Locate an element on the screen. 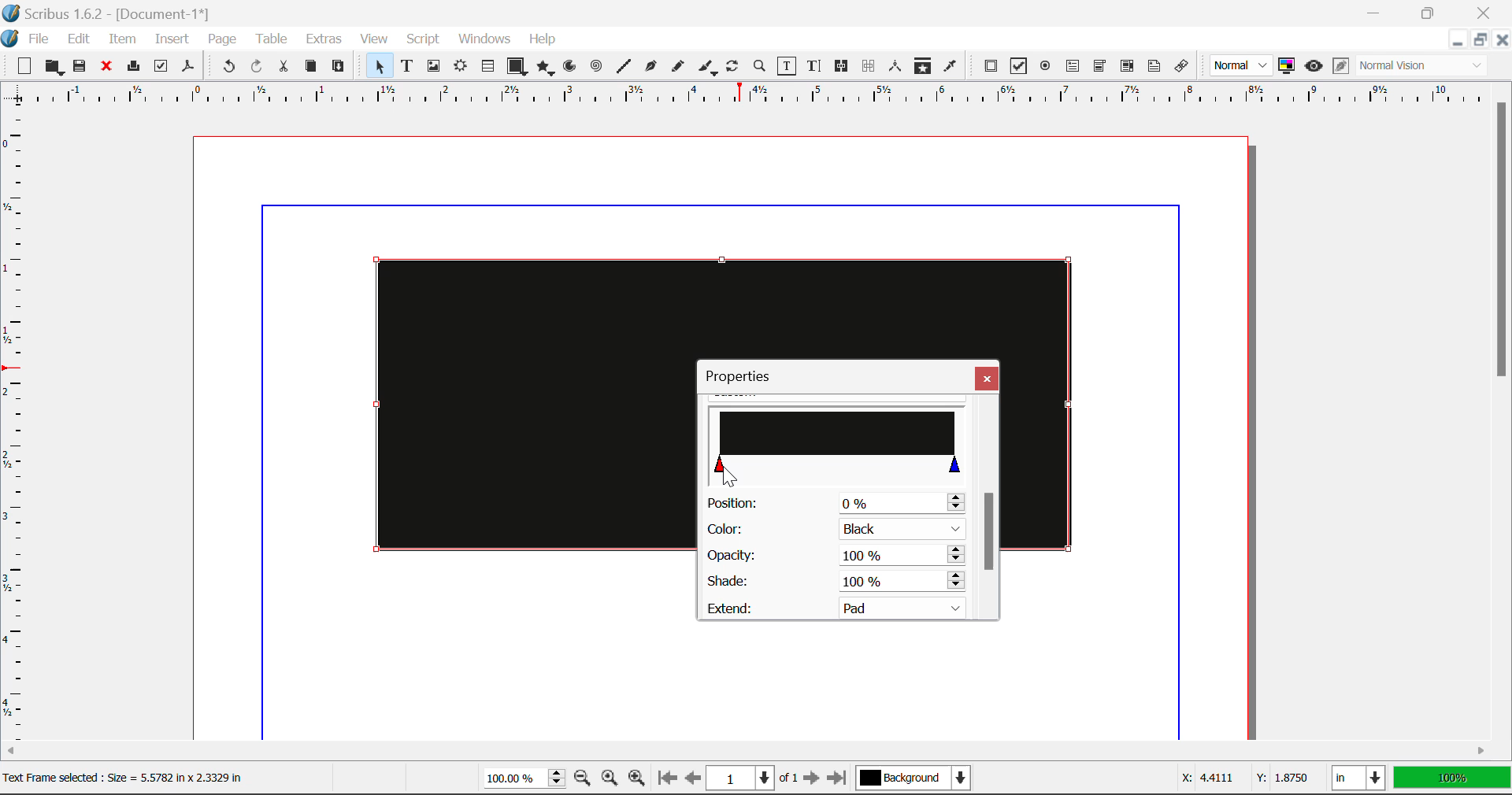  Polygons is located at coordinates (545, 69).